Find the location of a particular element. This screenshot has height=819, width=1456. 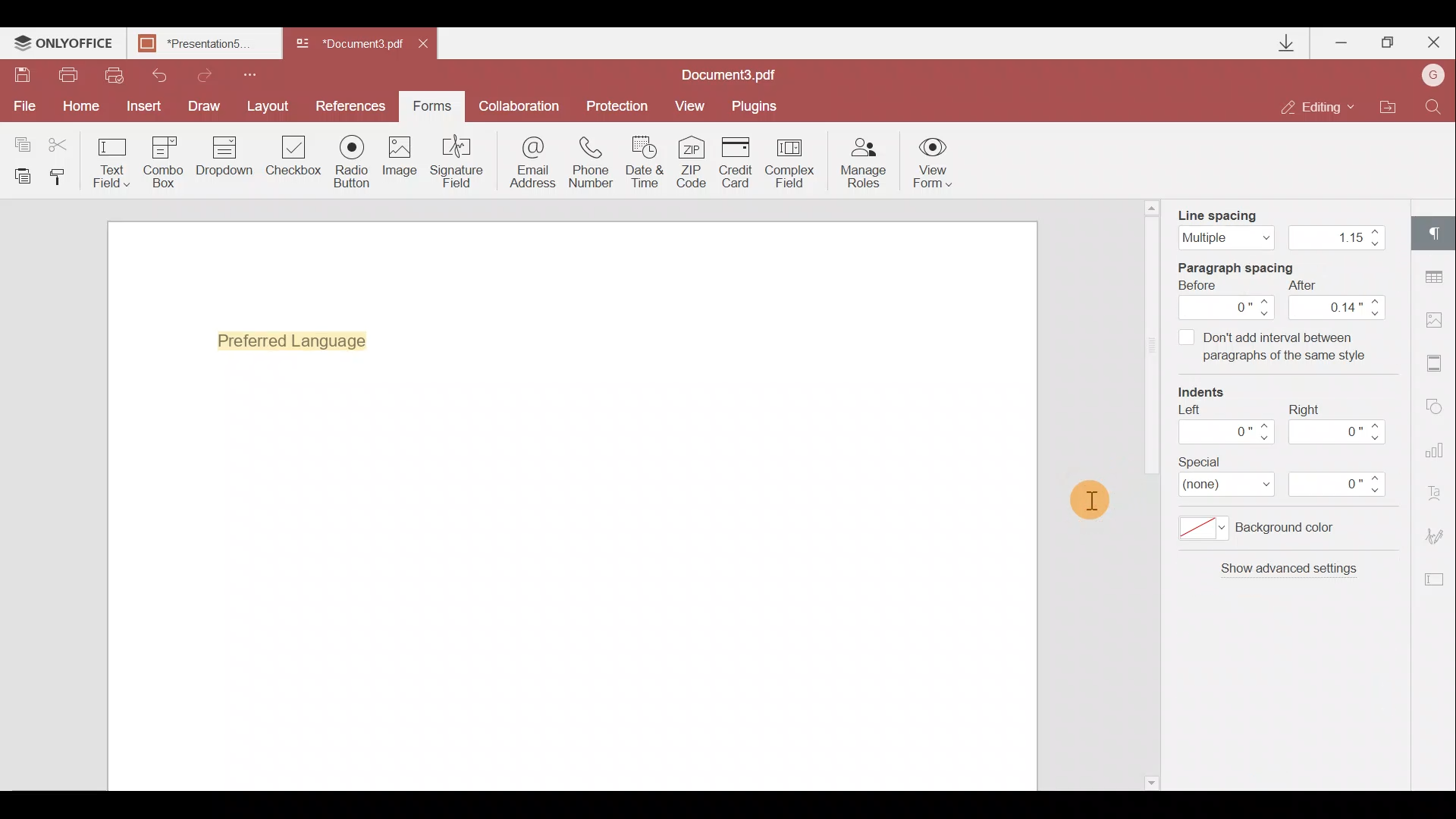

Header & Footer settings is located at coordinates (1438, 366).